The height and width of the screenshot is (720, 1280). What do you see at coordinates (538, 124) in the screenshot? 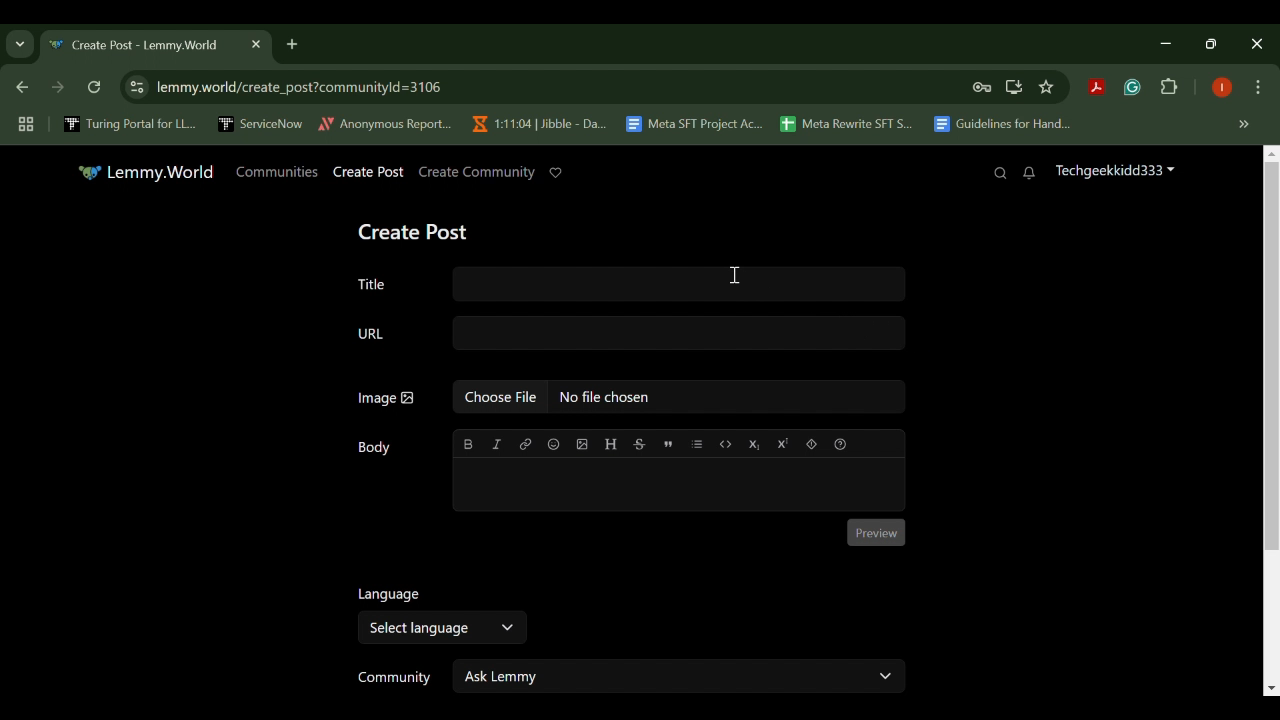
I see `1:11:04 | Jibble - Da...` at bounding box center [538, 124].